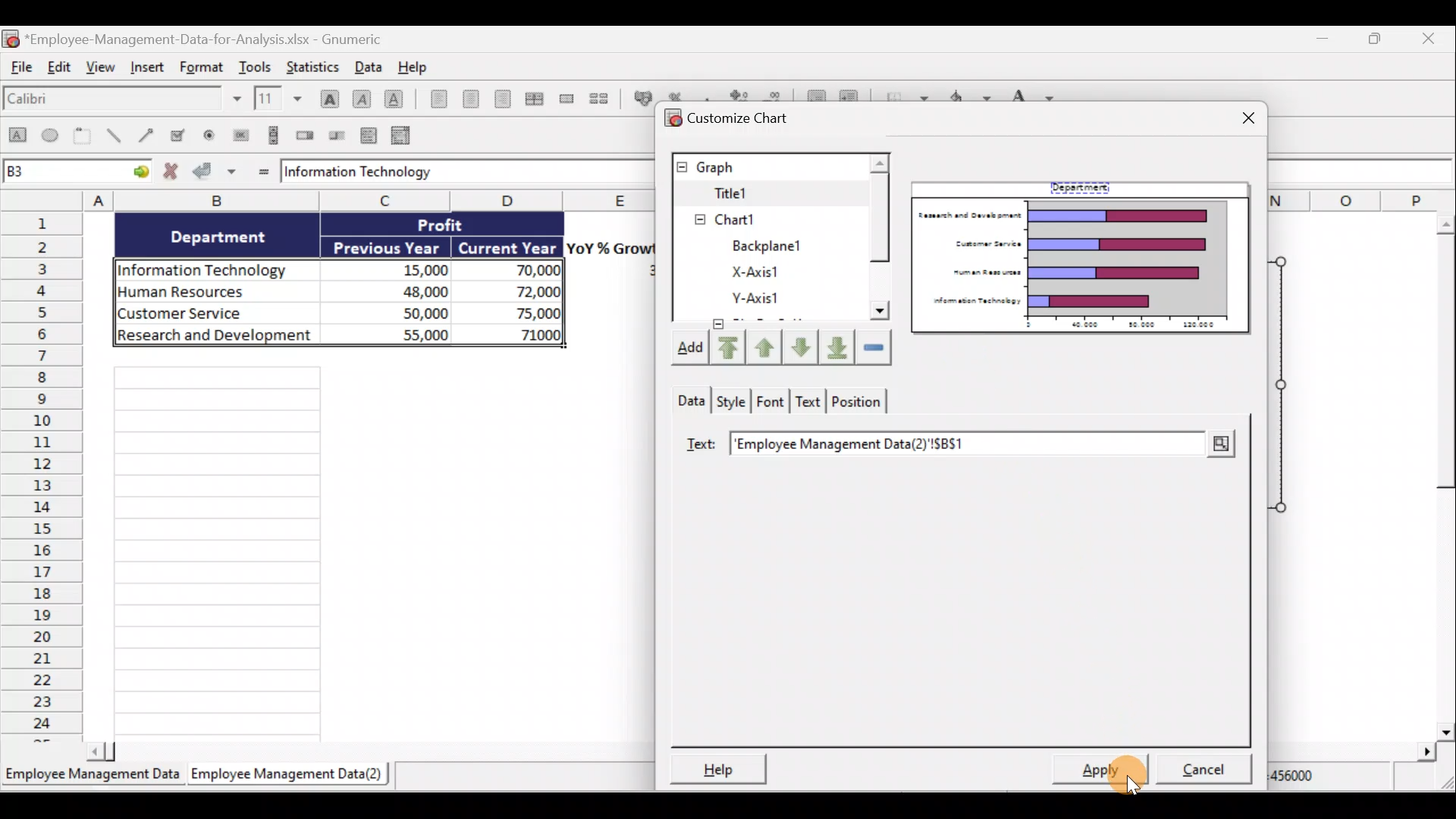 This screenshot has height=819, width=1456. Describe the element at coordinates (375, 550) in the screenshot. I see `Cells` at that location.